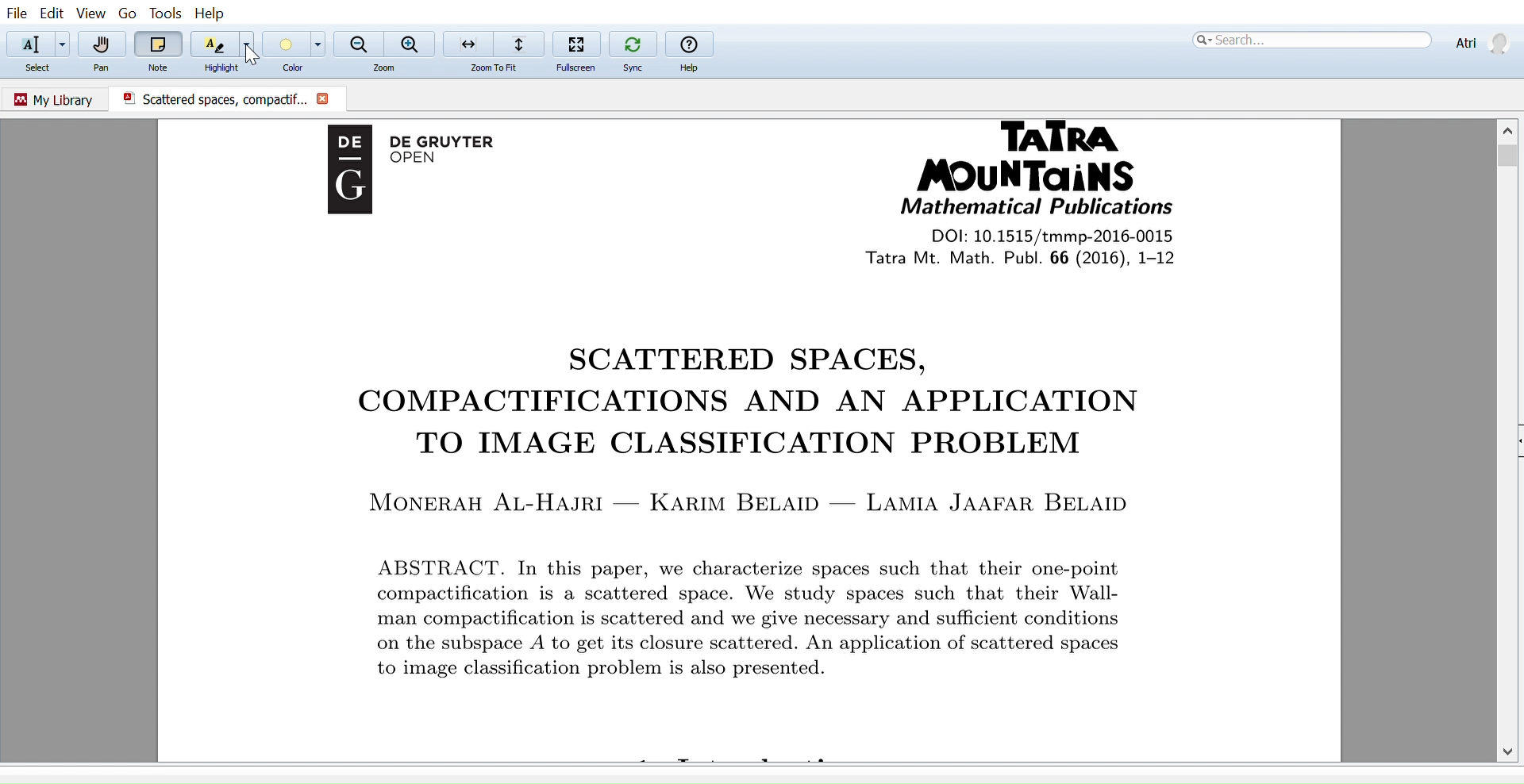 This screenshot has height=784, width=1524. What do you see at coordinates (128, 14) in the screenshot?
I see `go` at bounding box center [128, 14].